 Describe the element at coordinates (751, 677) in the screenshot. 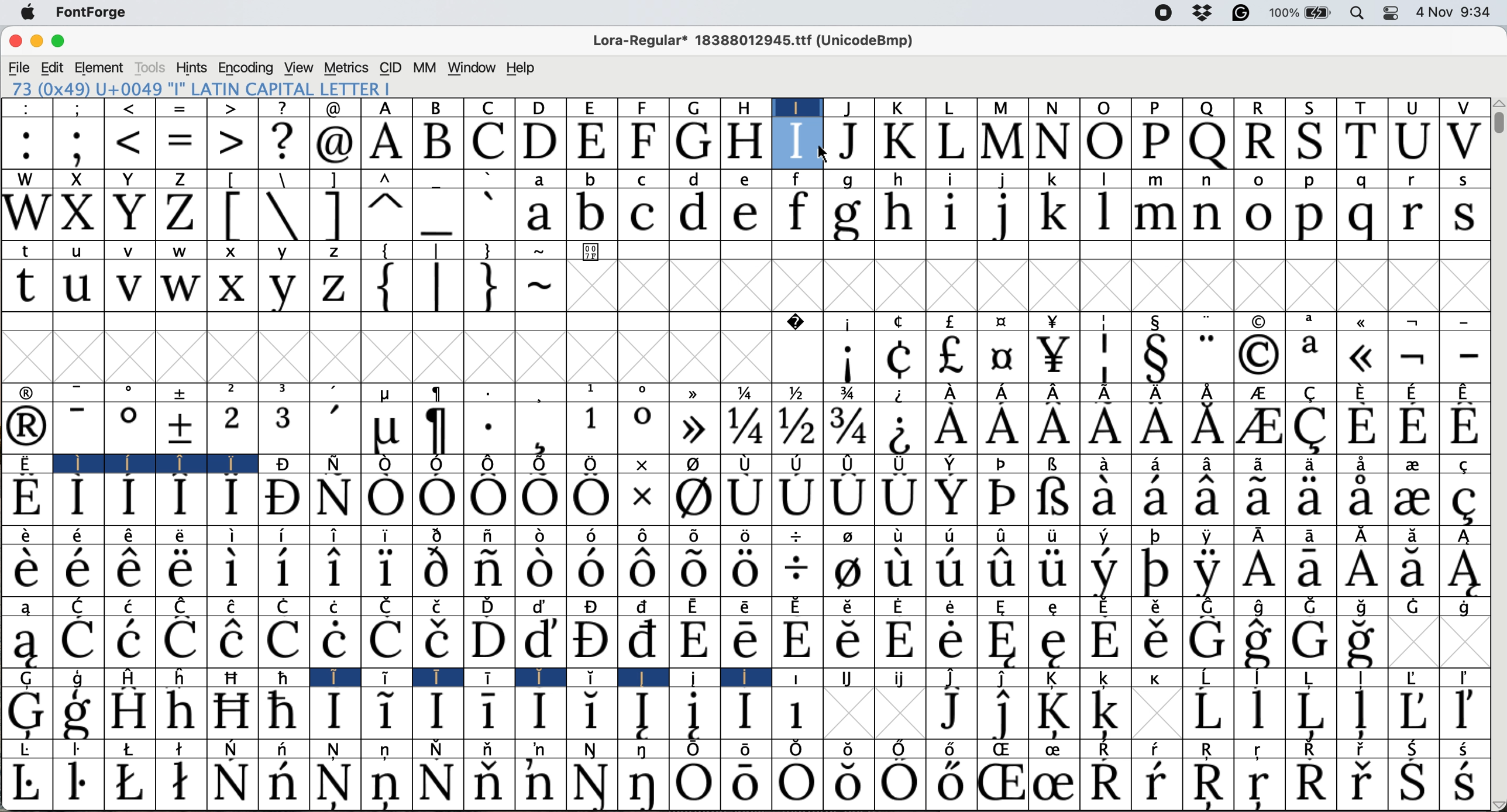

I see `Symbol` at that location.